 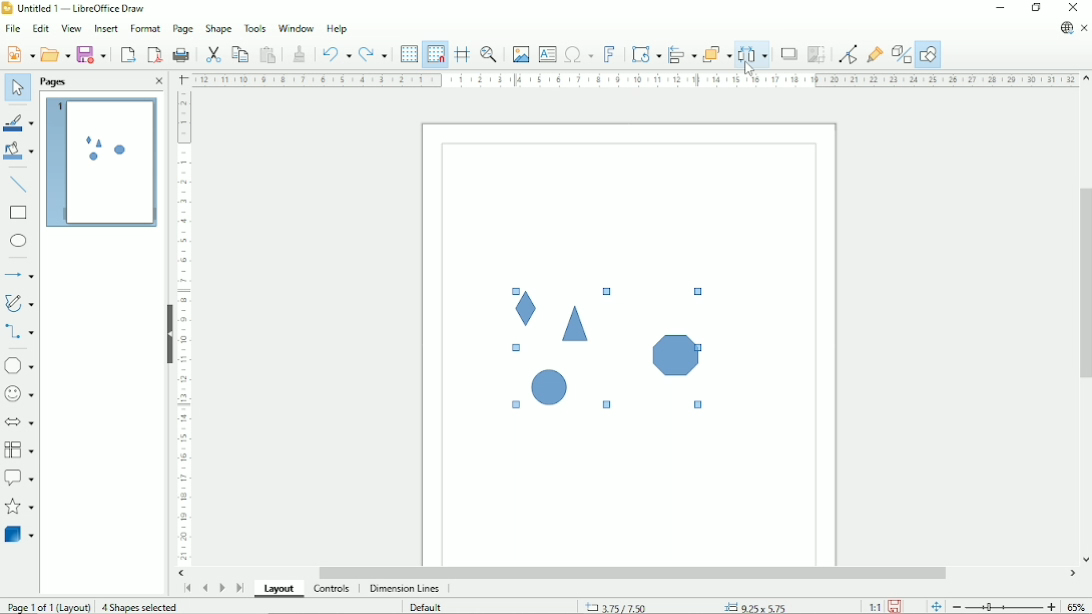 I want to click on Display grid, so click(x=408, y=54).